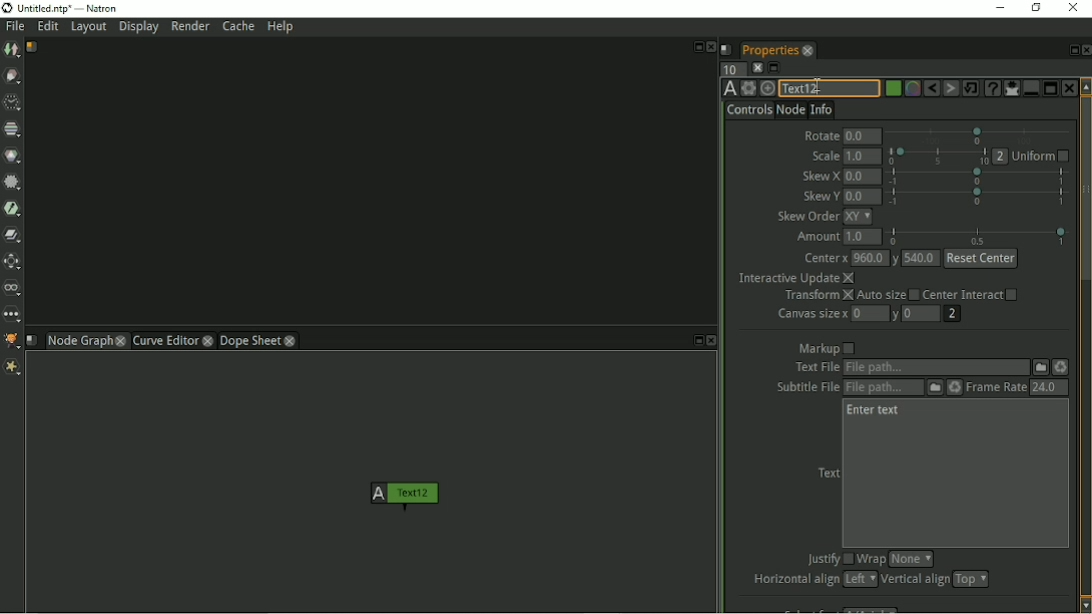  I want to click on Interactive Update, so click(796, 278).